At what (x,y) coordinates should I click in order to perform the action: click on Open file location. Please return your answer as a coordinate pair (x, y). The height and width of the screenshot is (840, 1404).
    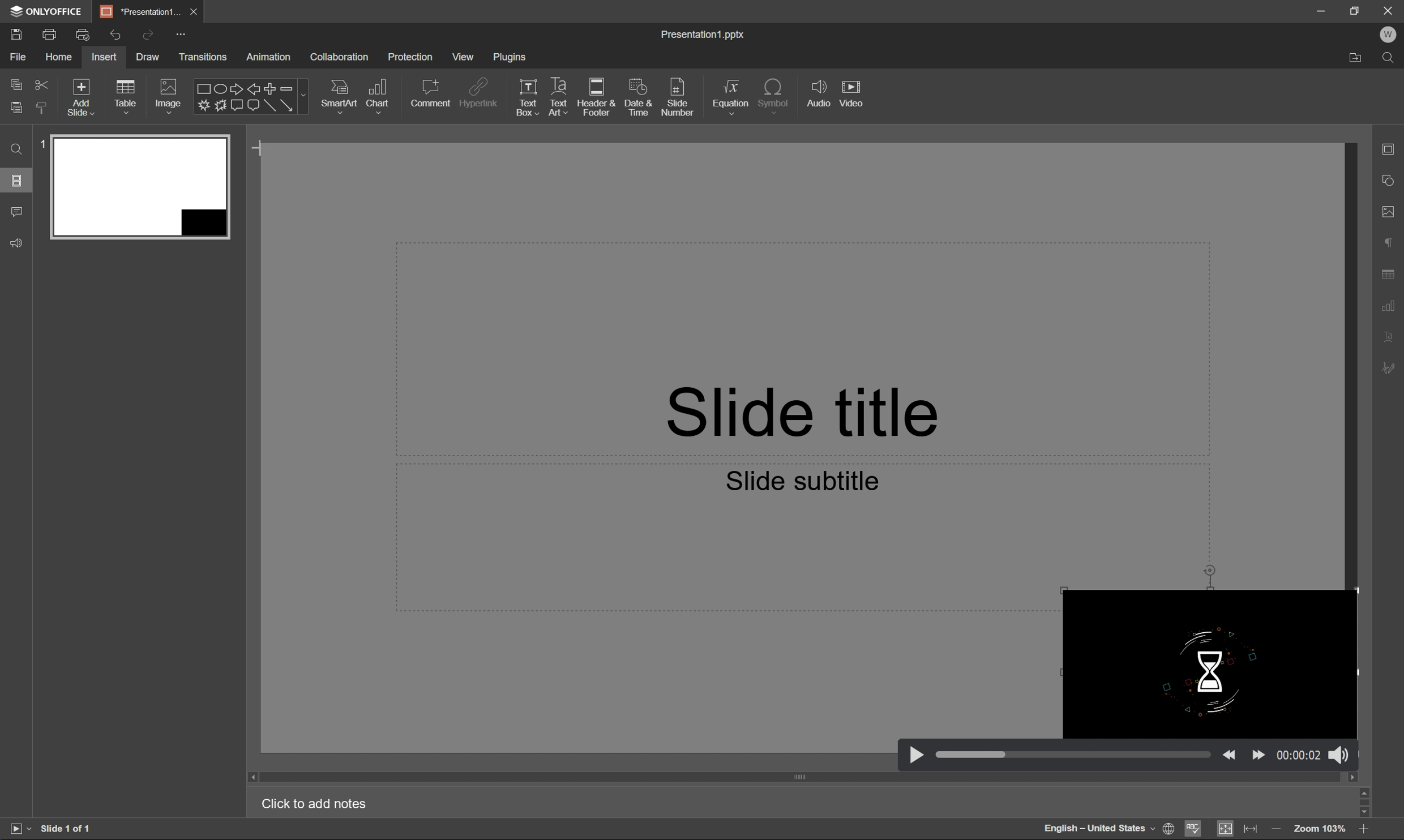
    Looking at the image, I should click on (1359, 58).